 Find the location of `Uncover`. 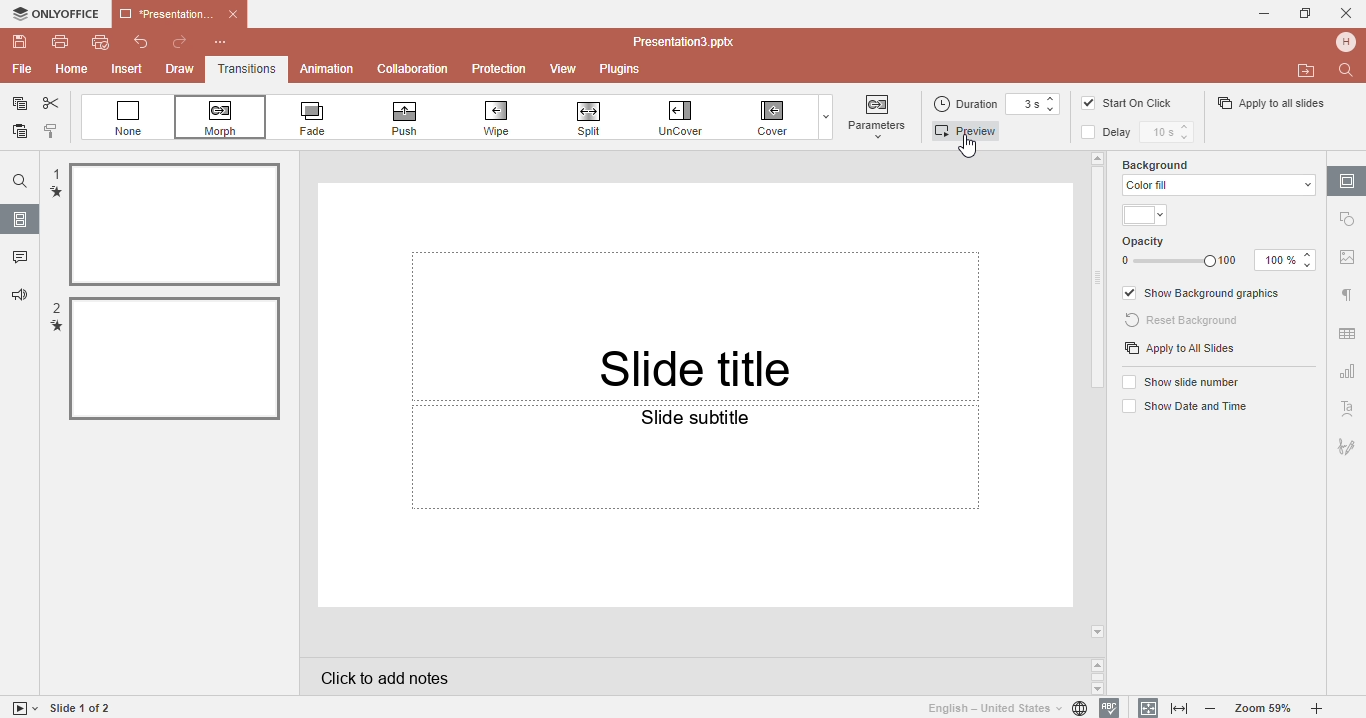

Uncover is located at coordinates (691, 117).